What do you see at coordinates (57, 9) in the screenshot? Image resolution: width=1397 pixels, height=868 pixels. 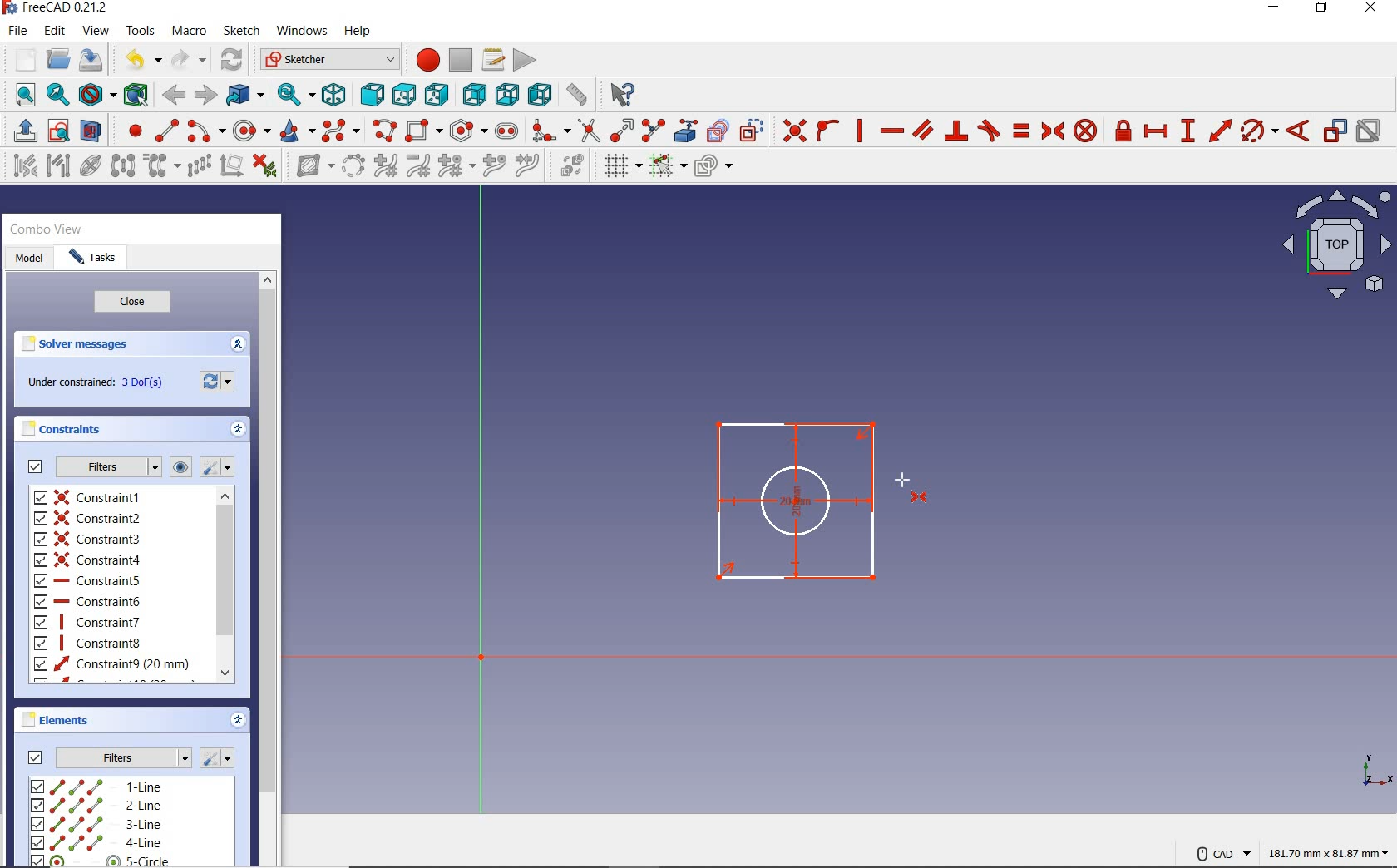 I see `FreeCAD 0.21.2` at bounding box center [57, 9].